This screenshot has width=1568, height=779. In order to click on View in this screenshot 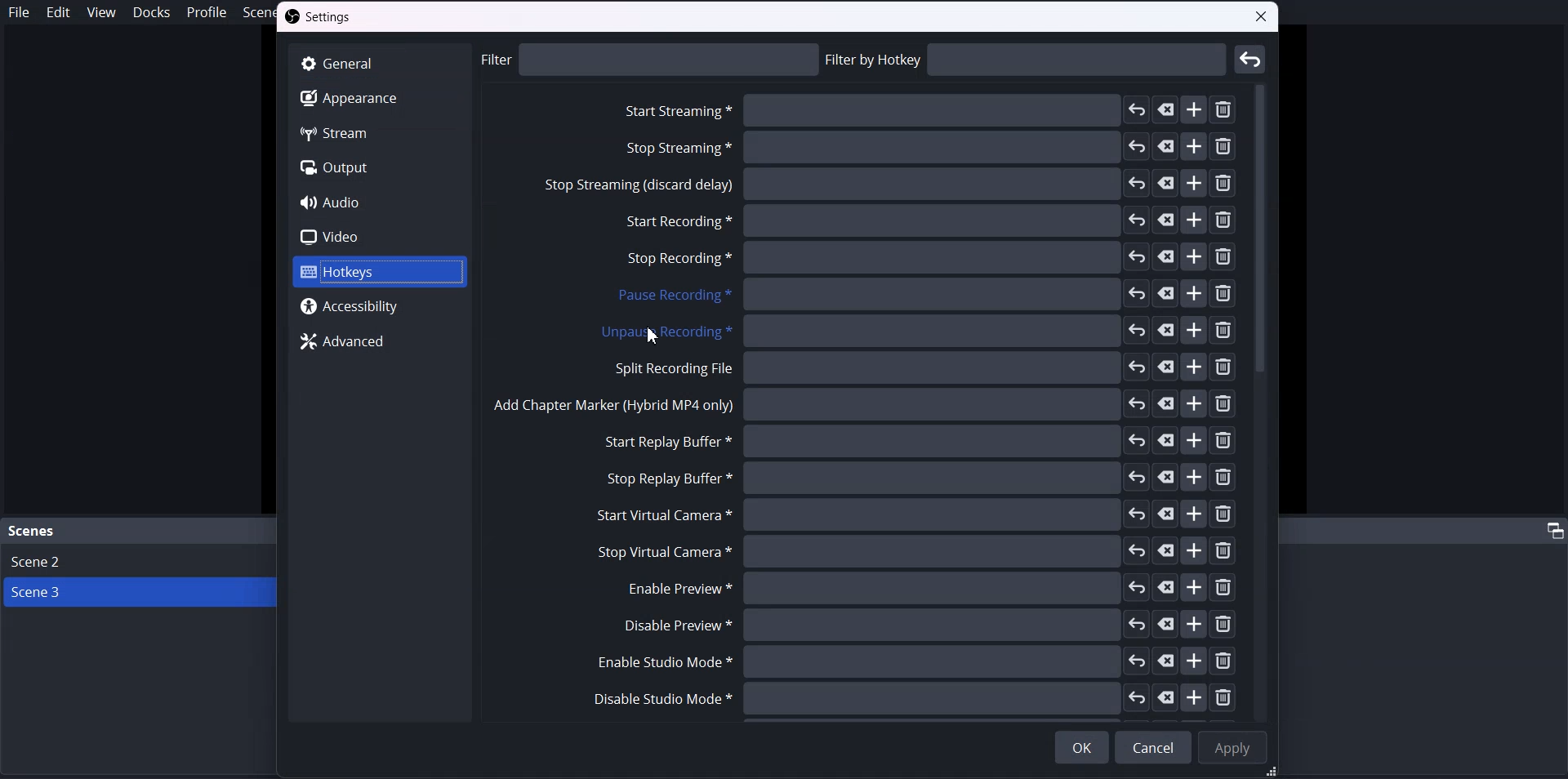, I will do `click(100, 11)`.